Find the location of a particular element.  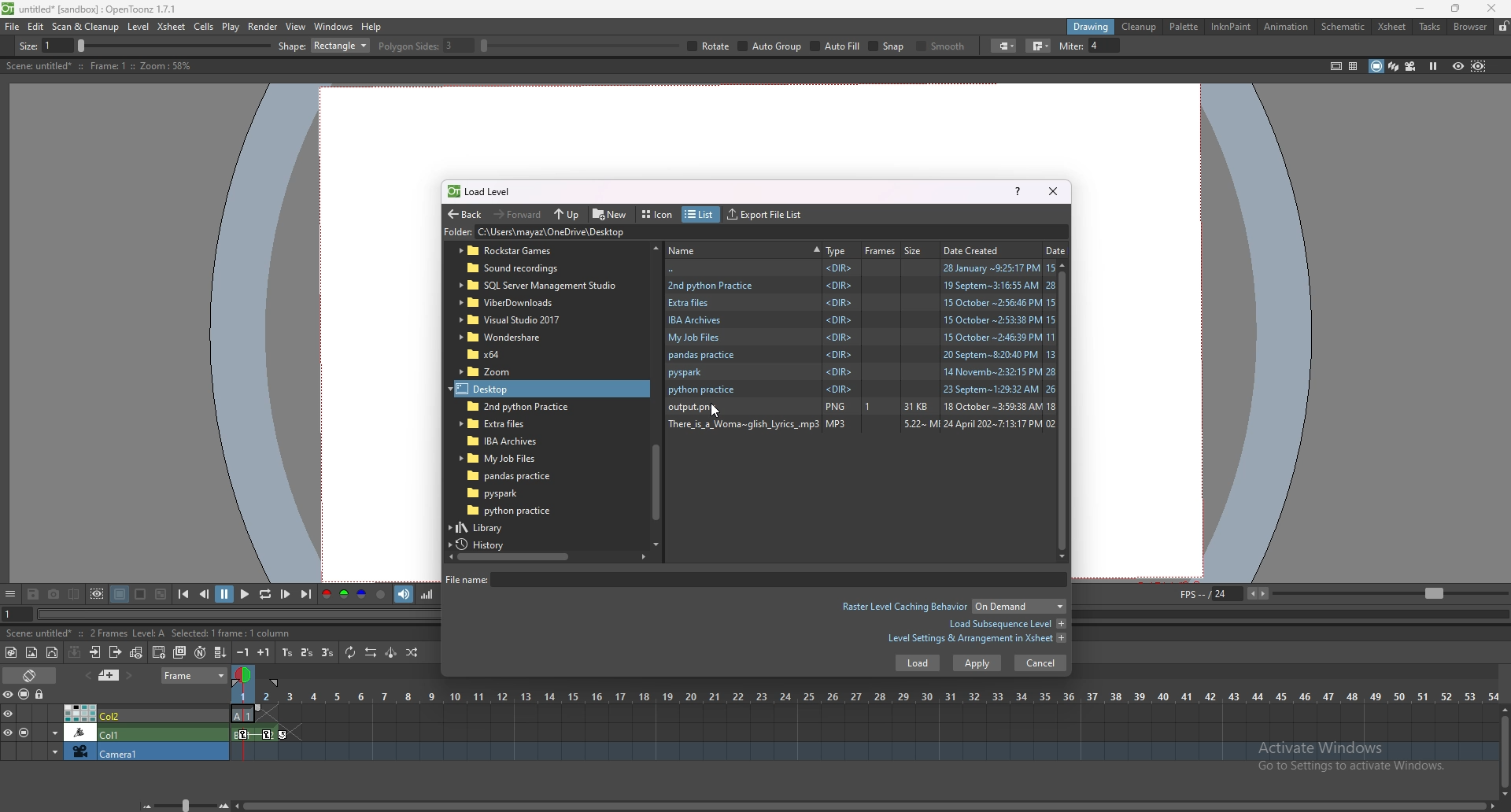

xsheet is located at coordinates (1392, 27).